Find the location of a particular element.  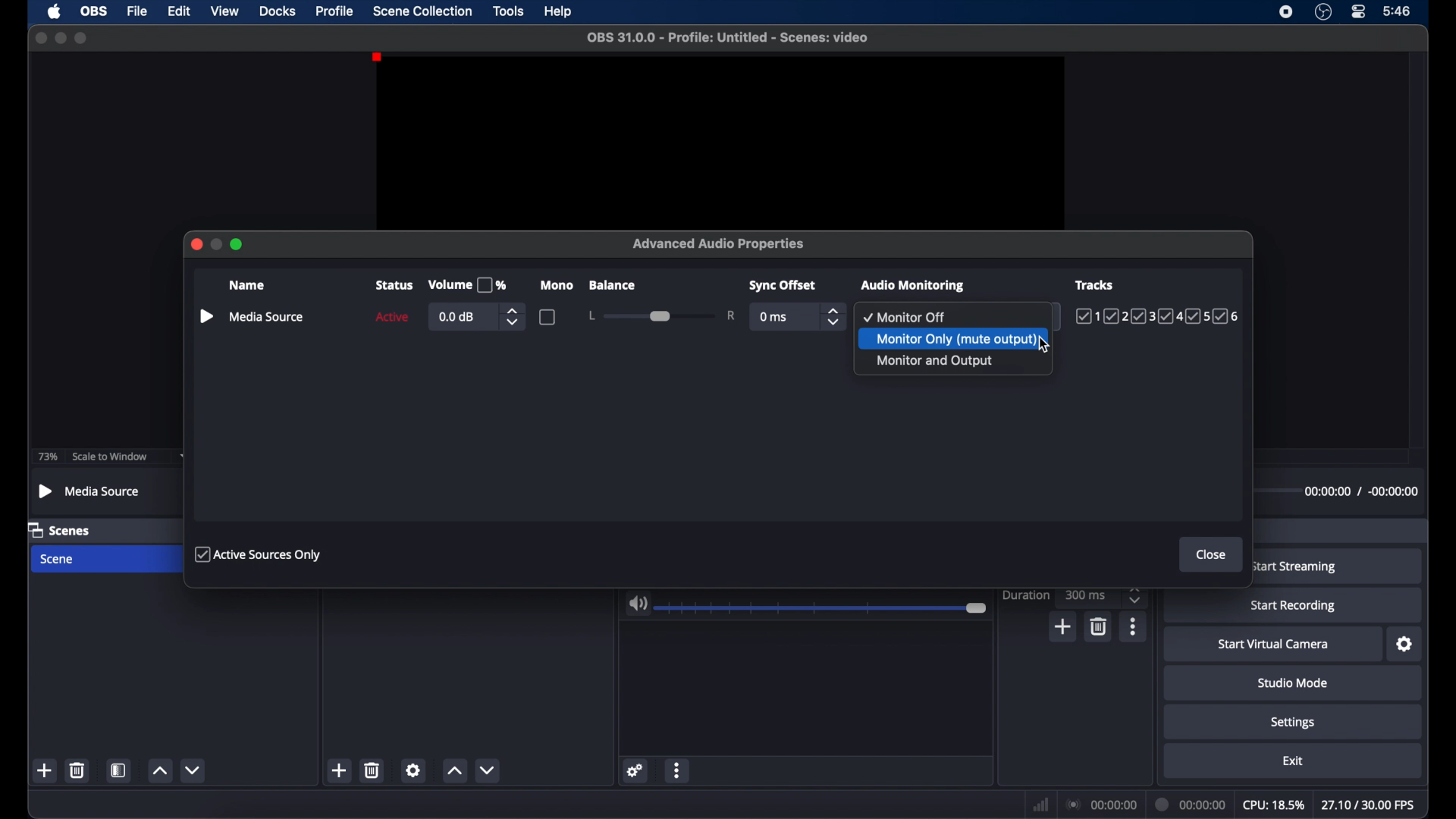

tools is located at coordinates (509, 10).